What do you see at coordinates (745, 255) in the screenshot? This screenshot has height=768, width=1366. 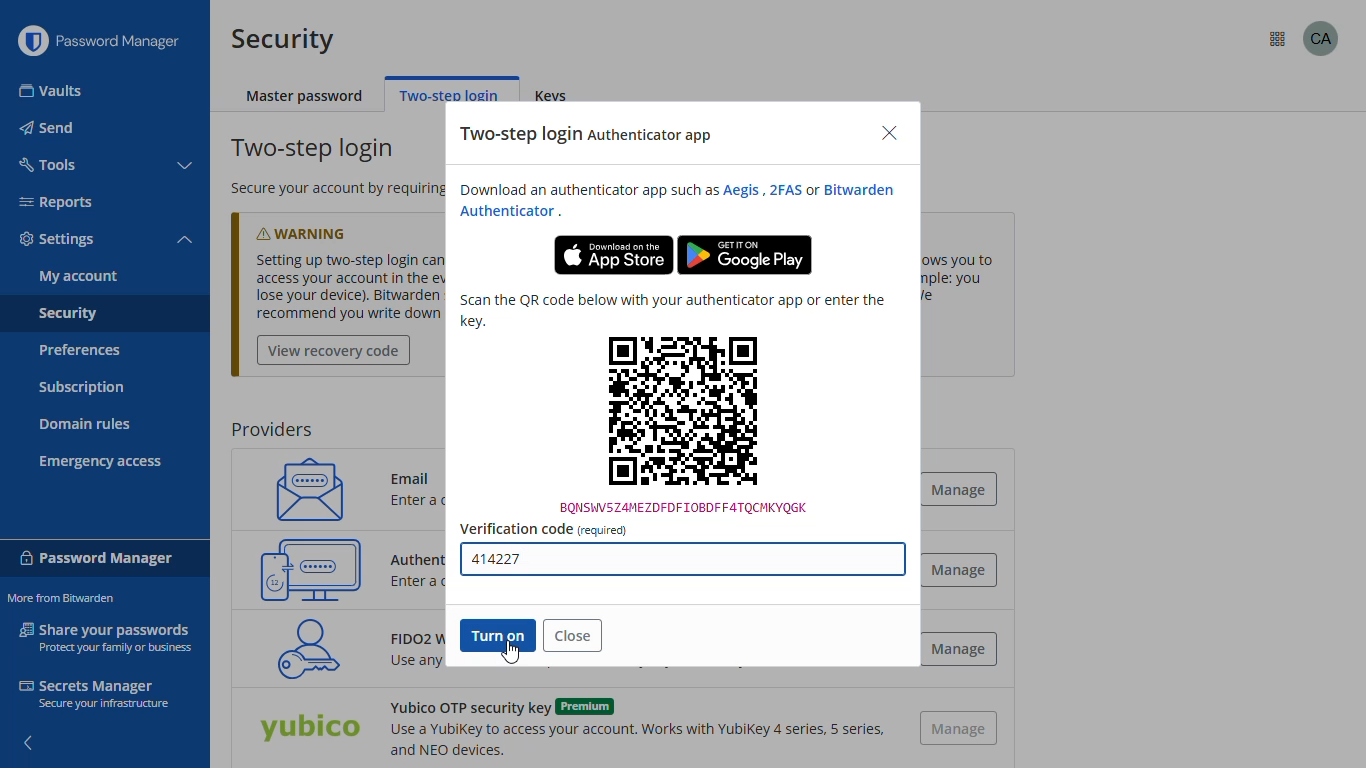 I see `get it on google play` at bounding box center [745, 255].